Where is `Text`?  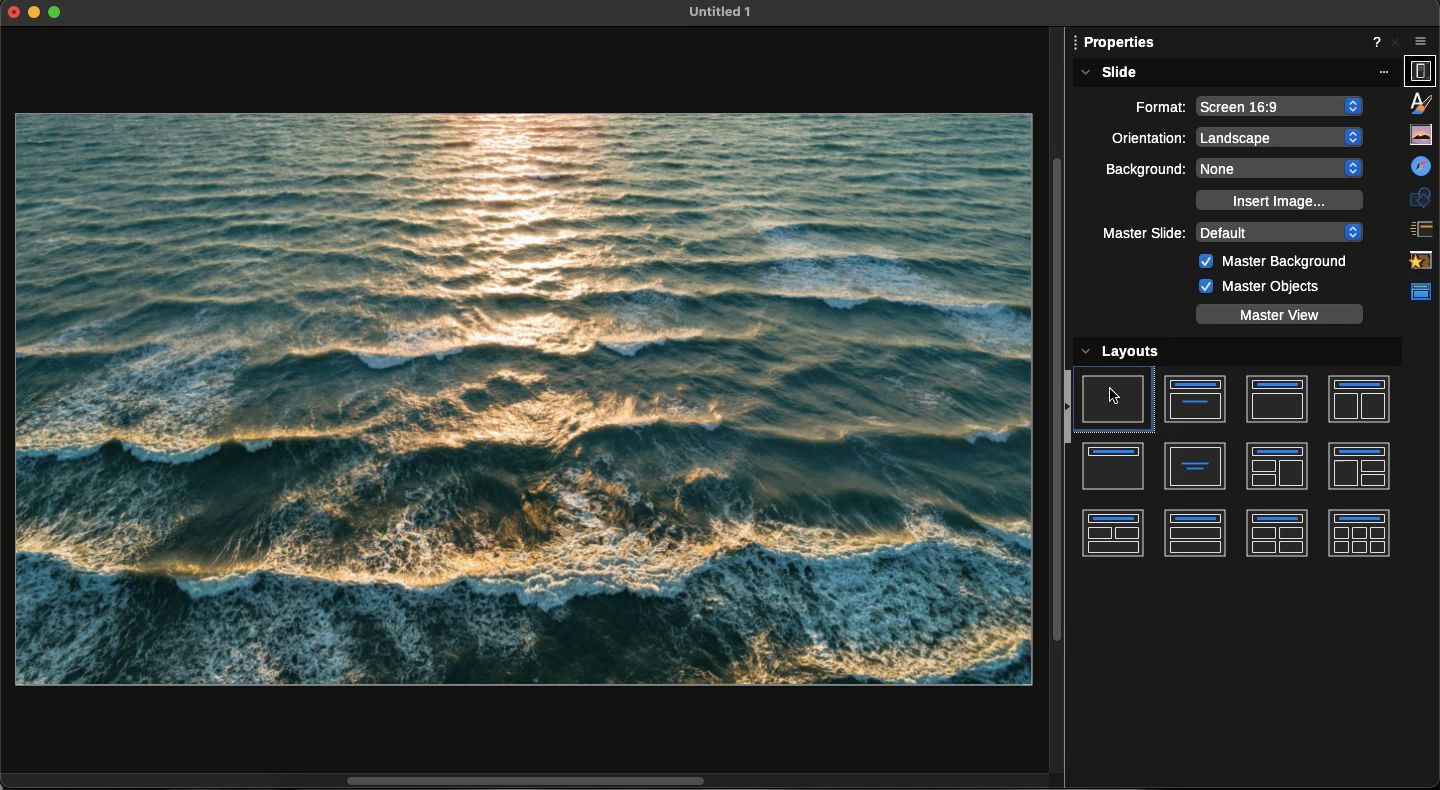
Text is located at coordinates (1196, 466).